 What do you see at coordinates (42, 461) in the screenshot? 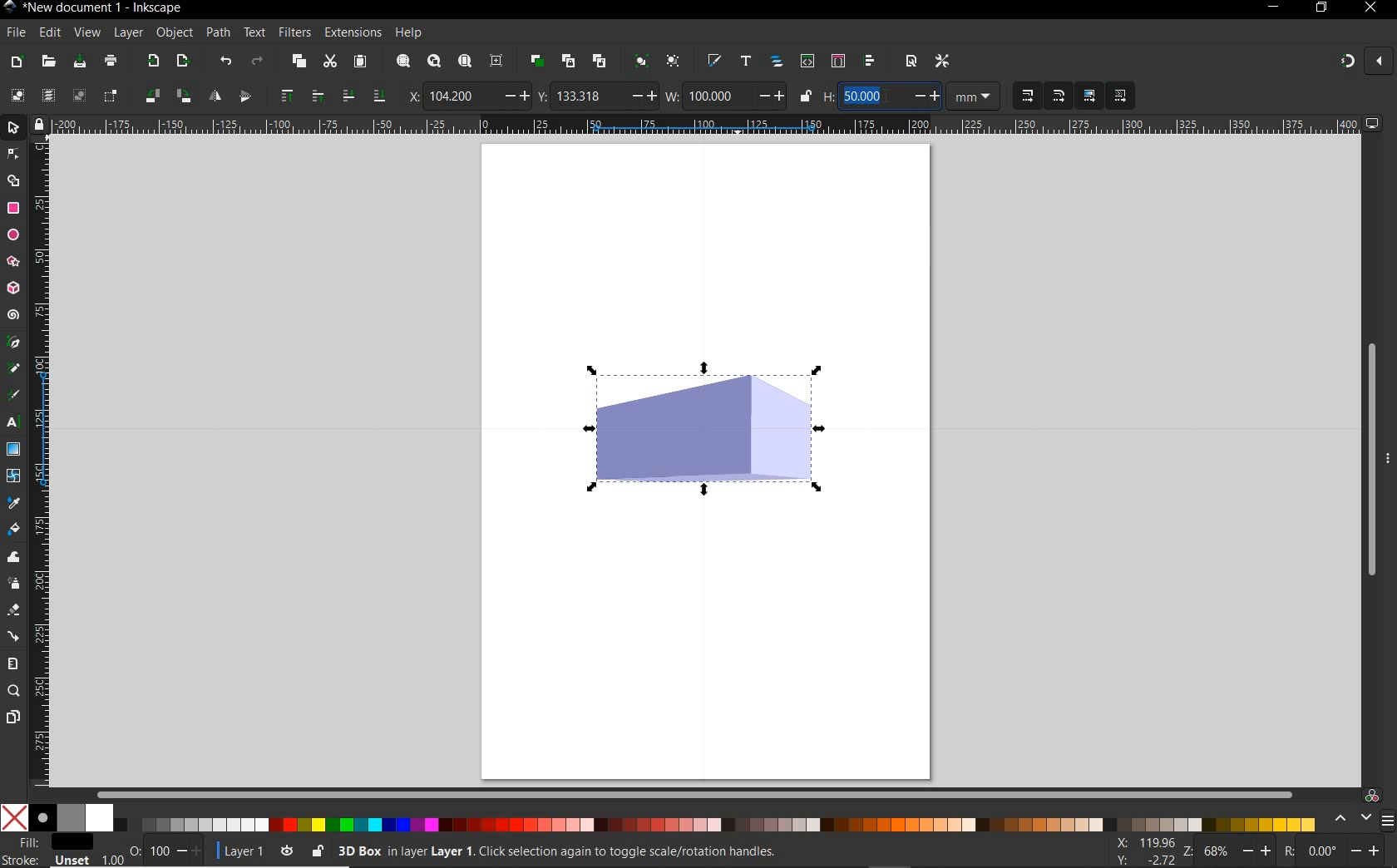
I see `ruler` at bounding box center [42, 461].